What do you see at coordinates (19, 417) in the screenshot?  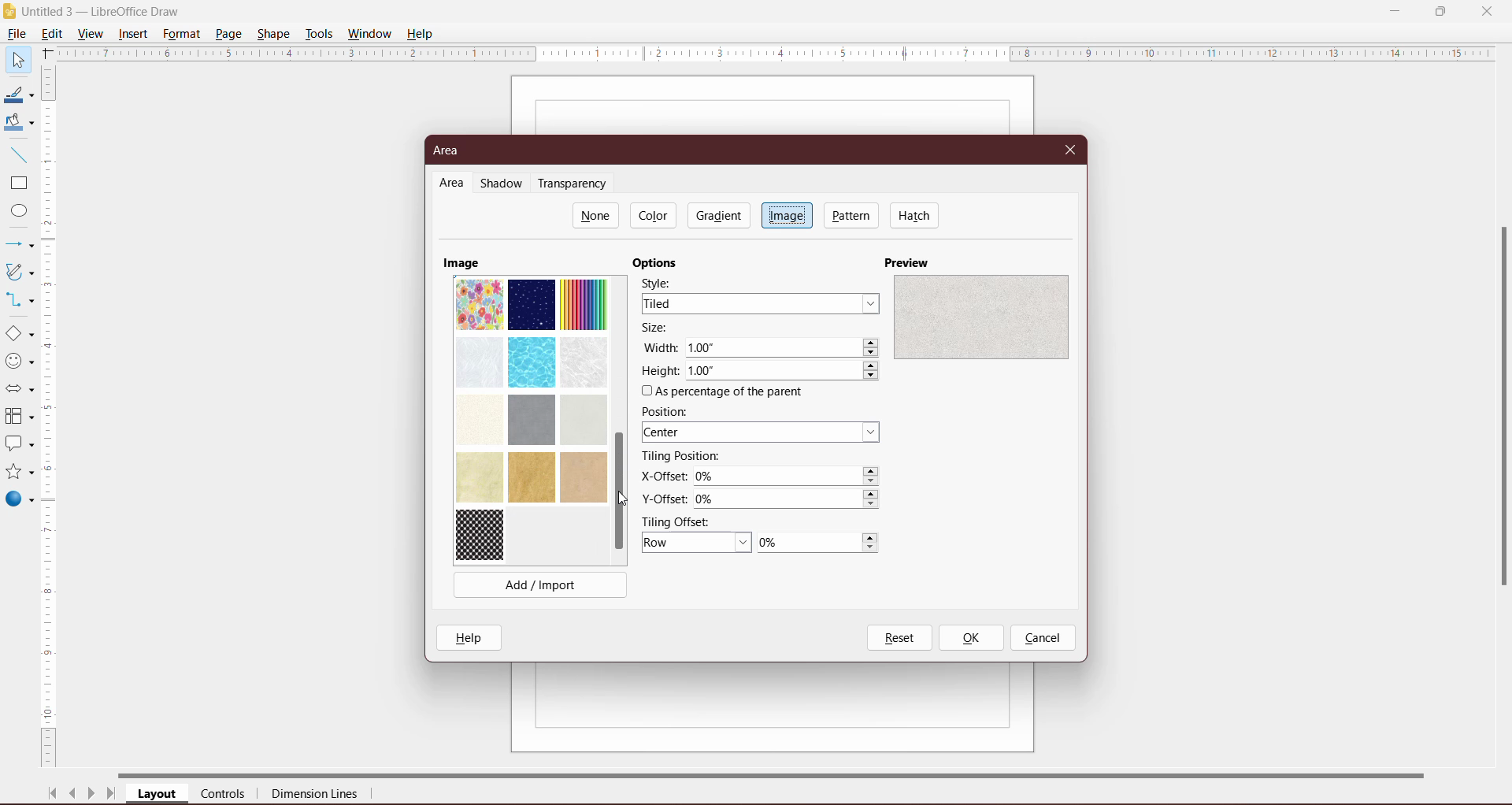 I see `Flowchart` at bounding box center [19, 417].